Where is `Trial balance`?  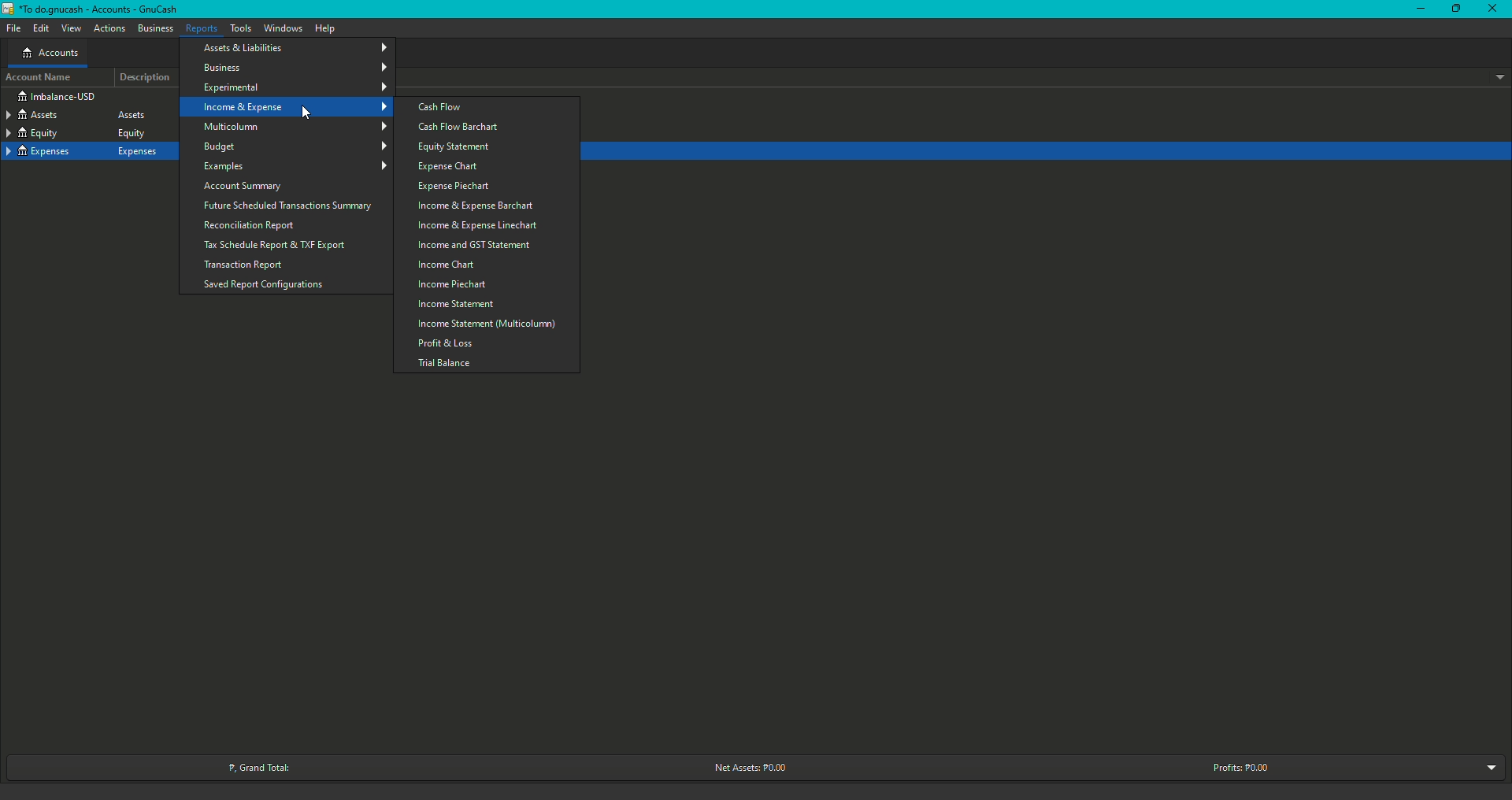 Trial balance is located at coordinates (444, 365).